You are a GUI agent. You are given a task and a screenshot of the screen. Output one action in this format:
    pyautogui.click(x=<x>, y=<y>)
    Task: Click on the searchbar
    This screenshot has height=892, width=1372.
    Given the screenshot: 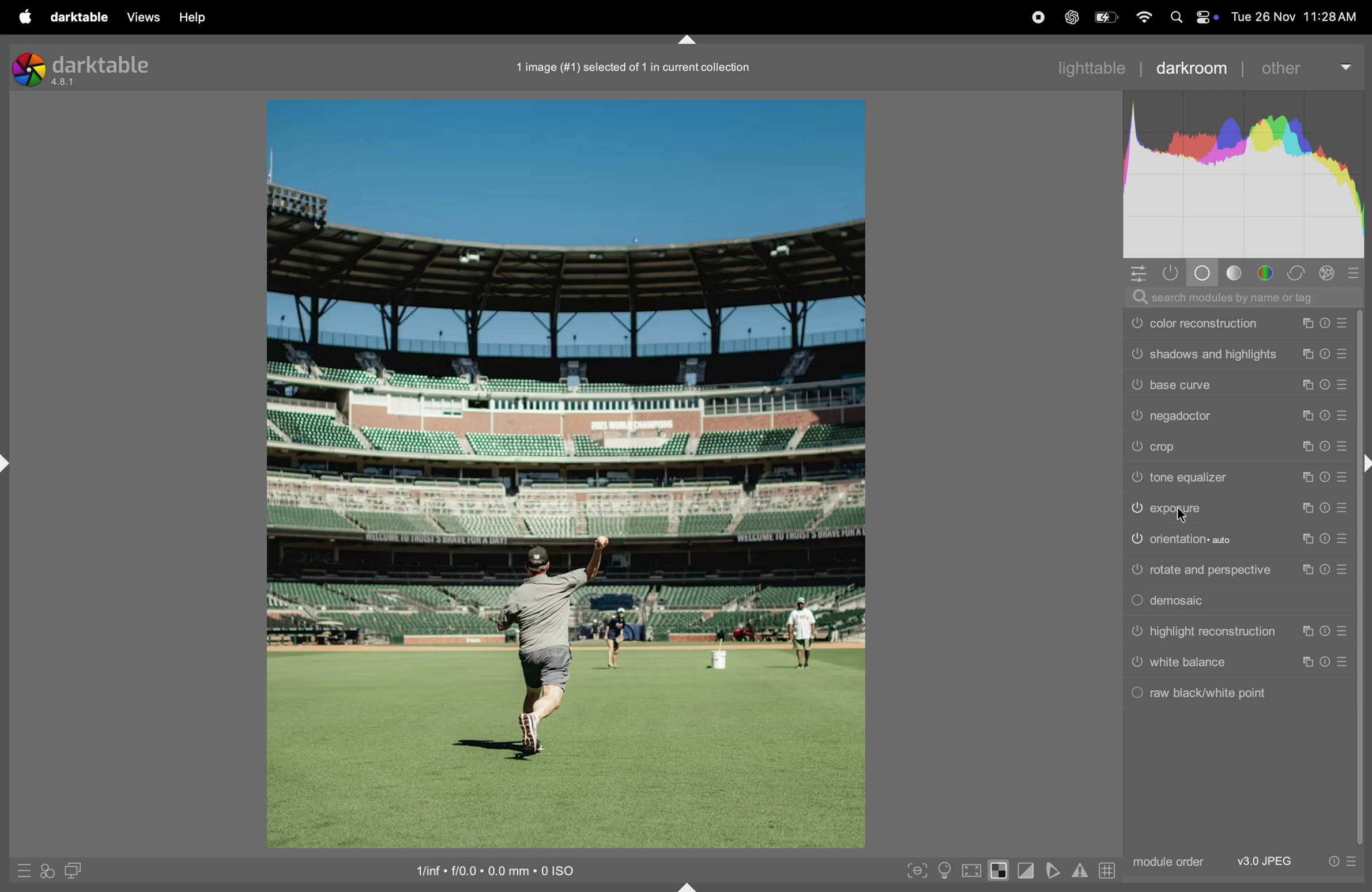 What is the action you would take?
    pyautogui.click(x=1238, y=297)
    